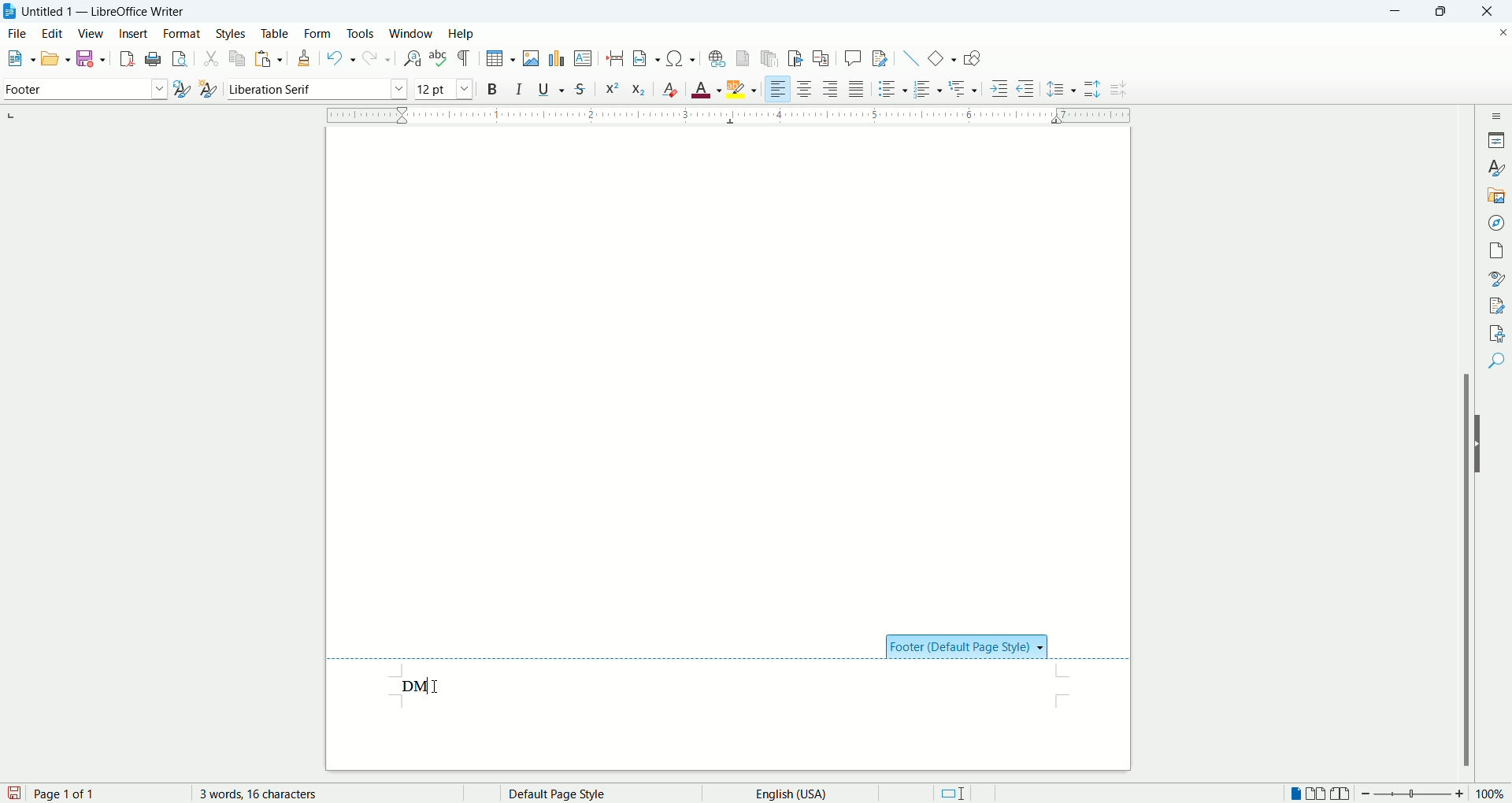  I want to click on manage changes, so click(1498, 306).